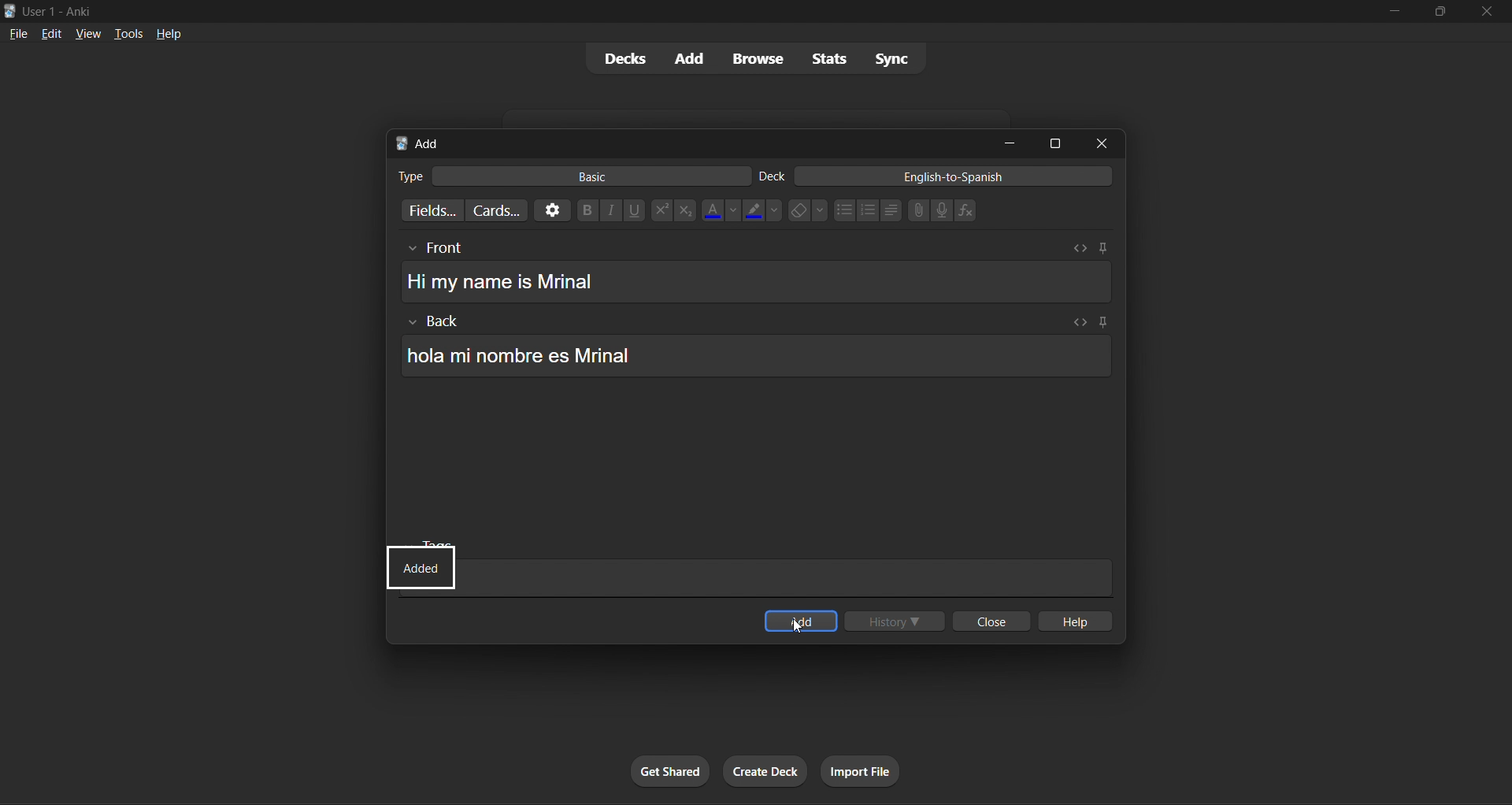 The image size is (1512, 805). What do you see at coordinates (1077, 618) in the screenshot?
I see `help` at bounding box center [1077, 618].